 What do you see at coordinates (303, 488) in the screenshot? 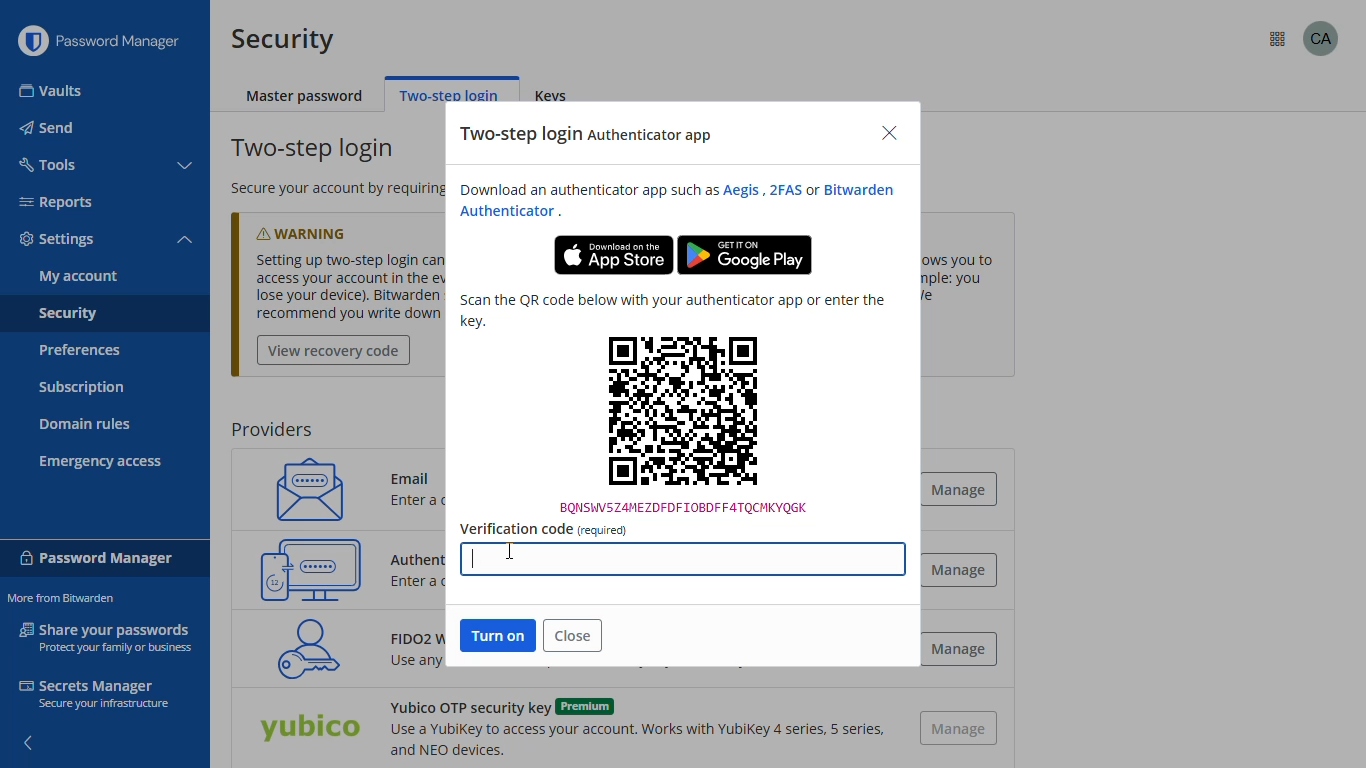
I see `email` at bounding box center [303, 488].